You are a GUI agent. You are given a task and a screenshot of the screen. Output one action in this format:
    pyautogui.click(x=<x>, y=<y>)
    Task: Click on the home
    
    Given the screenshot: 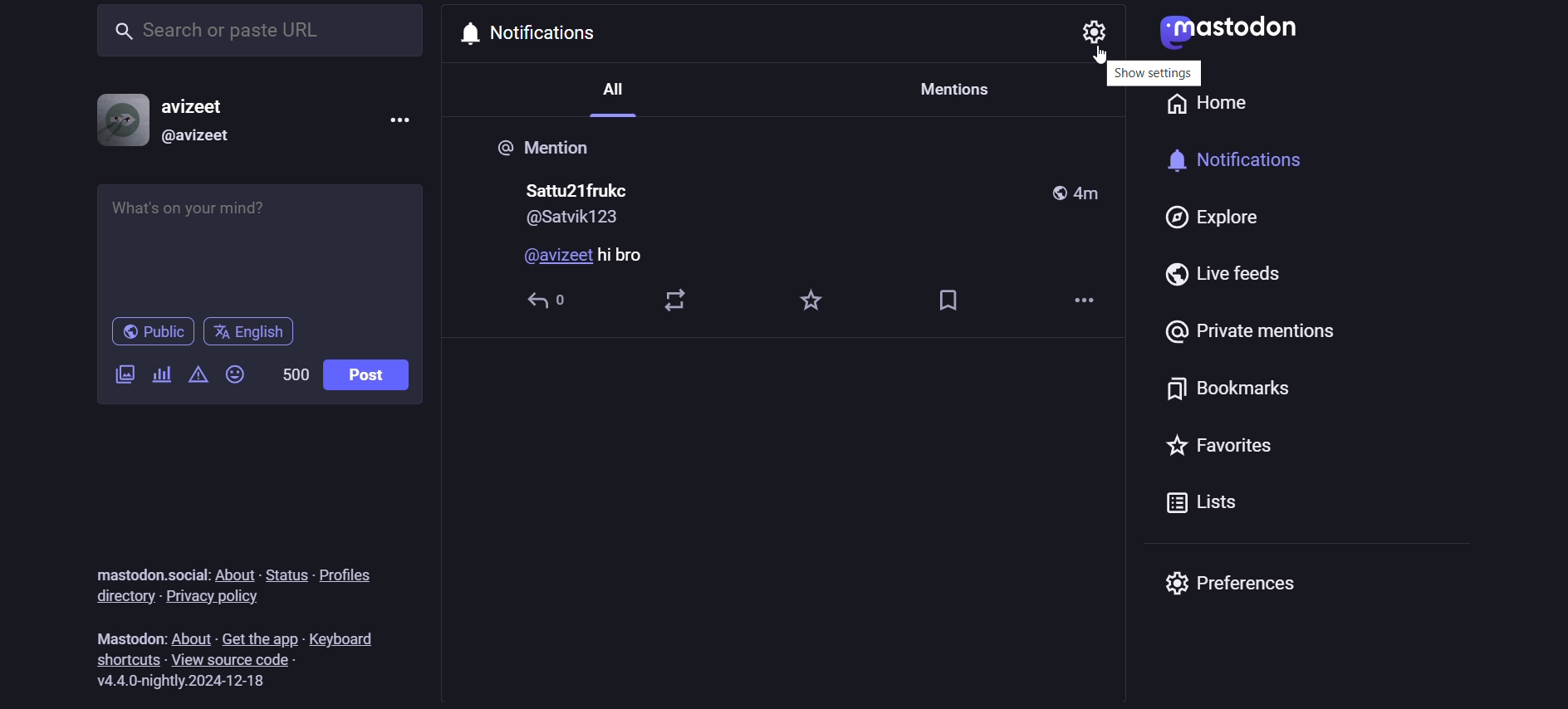 What is the action you would take?
    pyautogui.click(x=1205, y=109)
    